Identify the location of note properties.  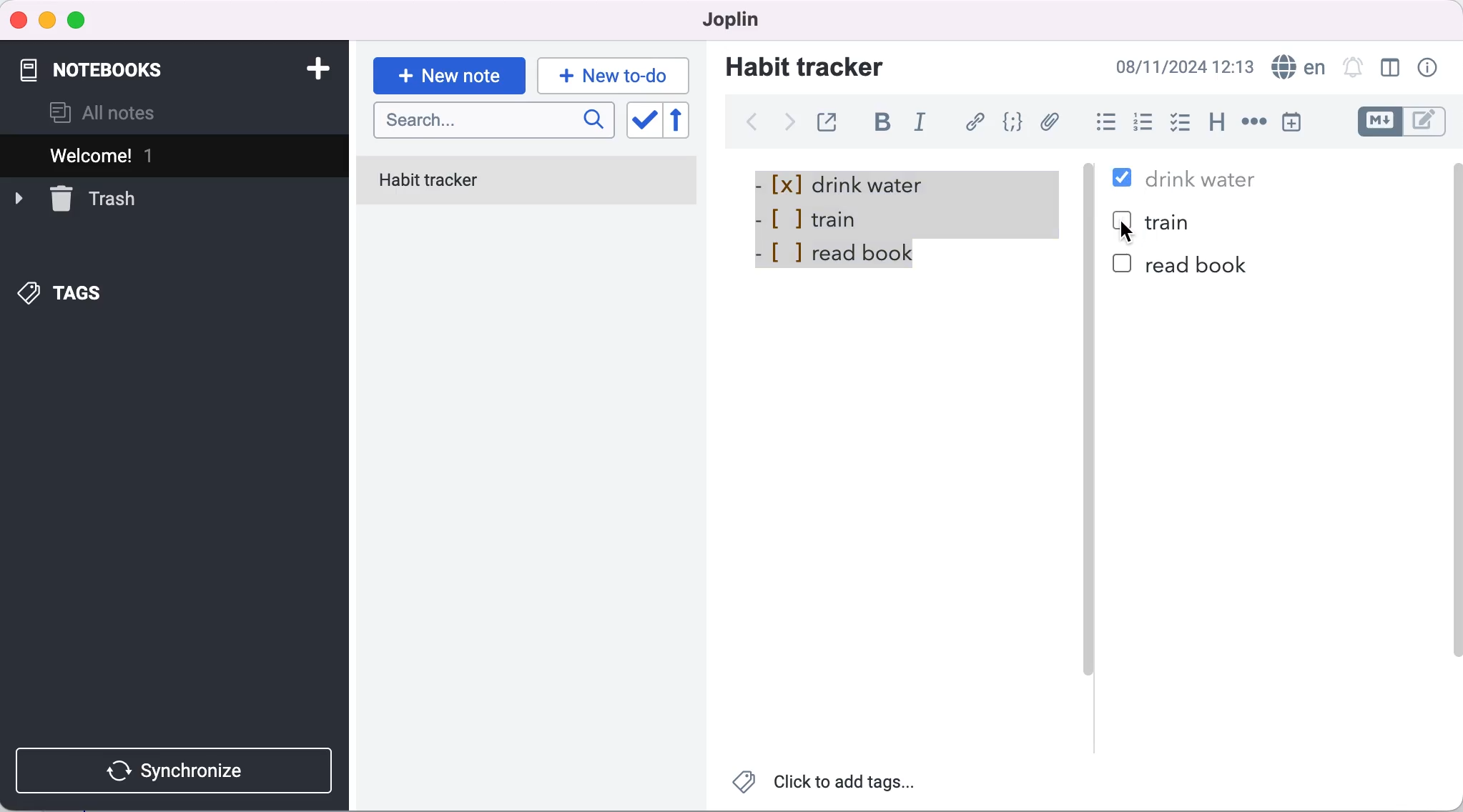
(1429, 68).